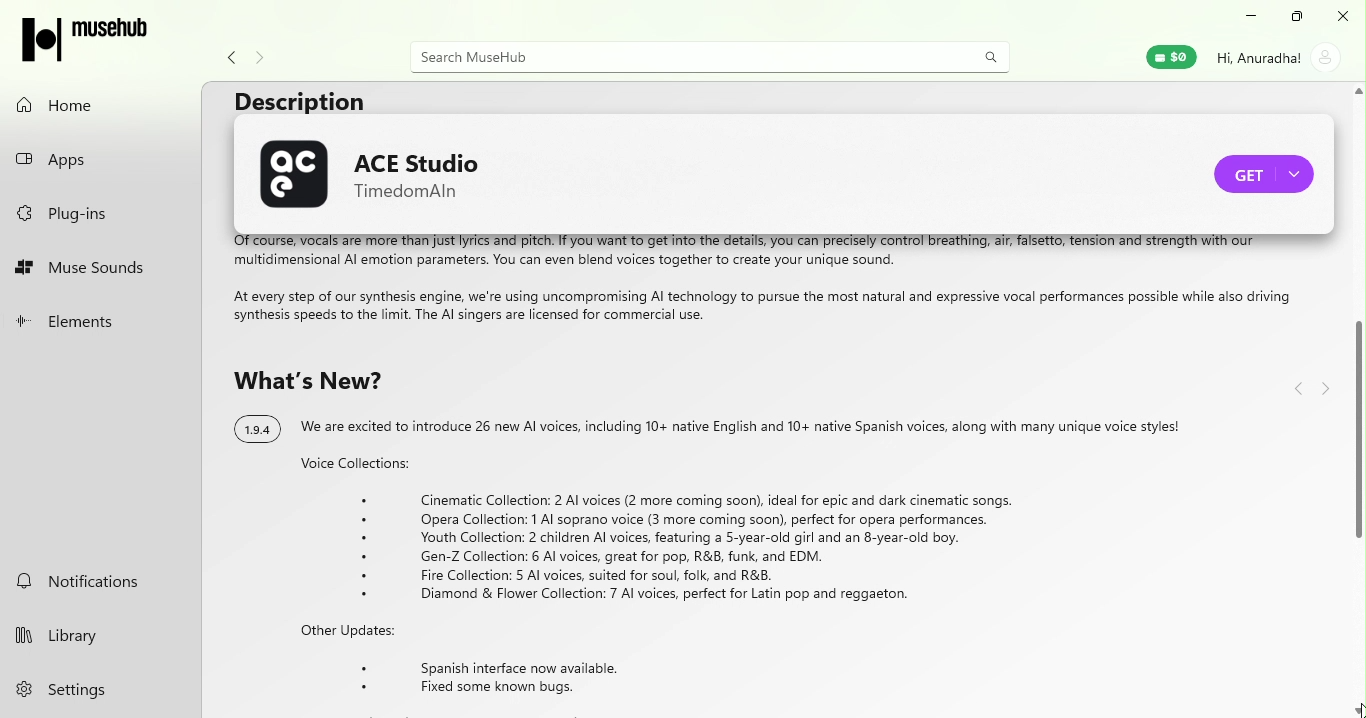 This screenshot has width=1366, height=718. What do you see at coordinates (80, 691) in the screenshot?
I see `settings` at bounding box center [80, 691].